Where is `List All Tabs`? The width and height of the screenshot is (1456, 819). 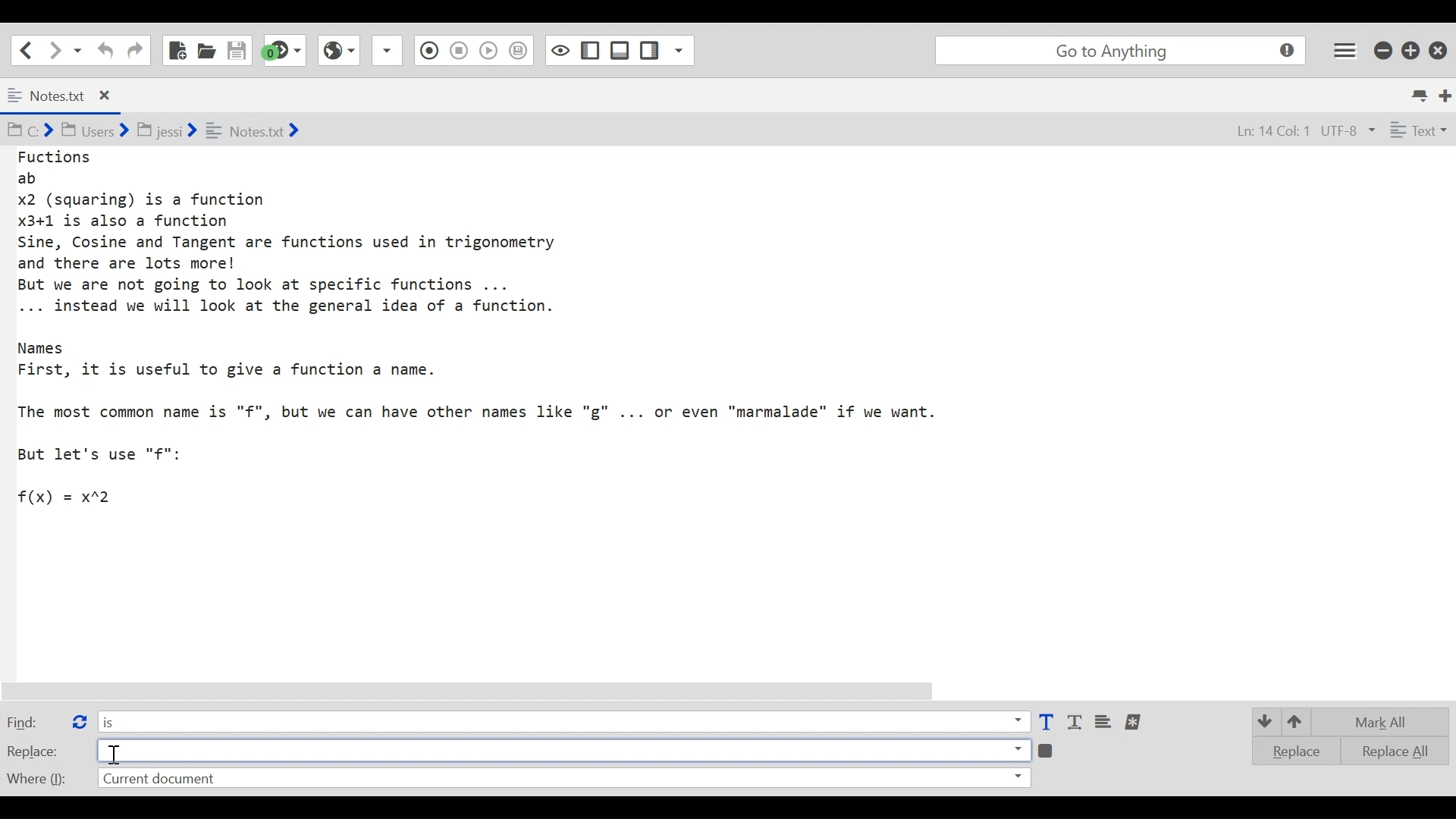
List All Tabs is located at coordinates (1421, 93).